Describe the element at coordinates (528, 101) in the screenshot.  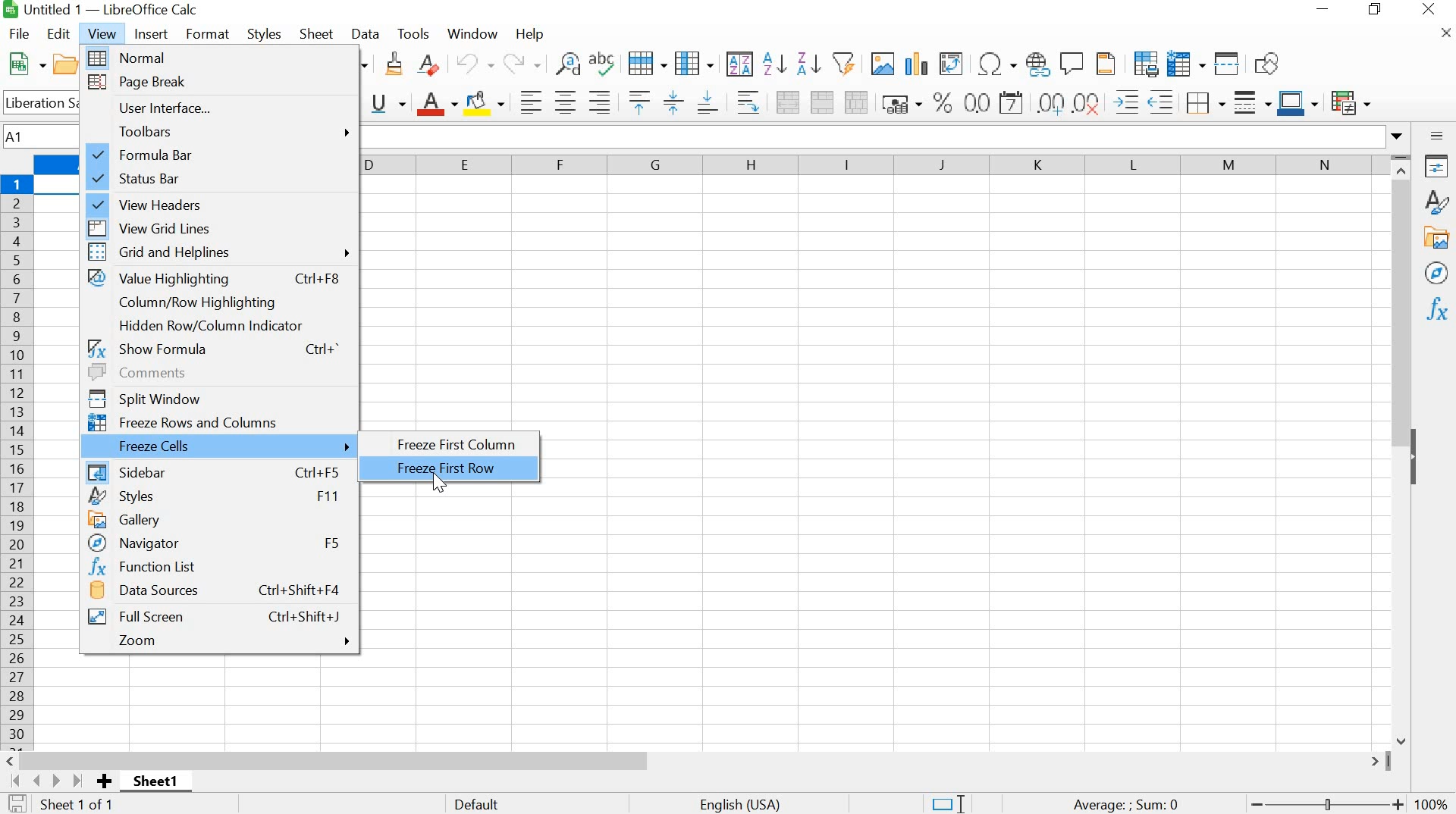
I see `ALIGN LEFT` at that location.